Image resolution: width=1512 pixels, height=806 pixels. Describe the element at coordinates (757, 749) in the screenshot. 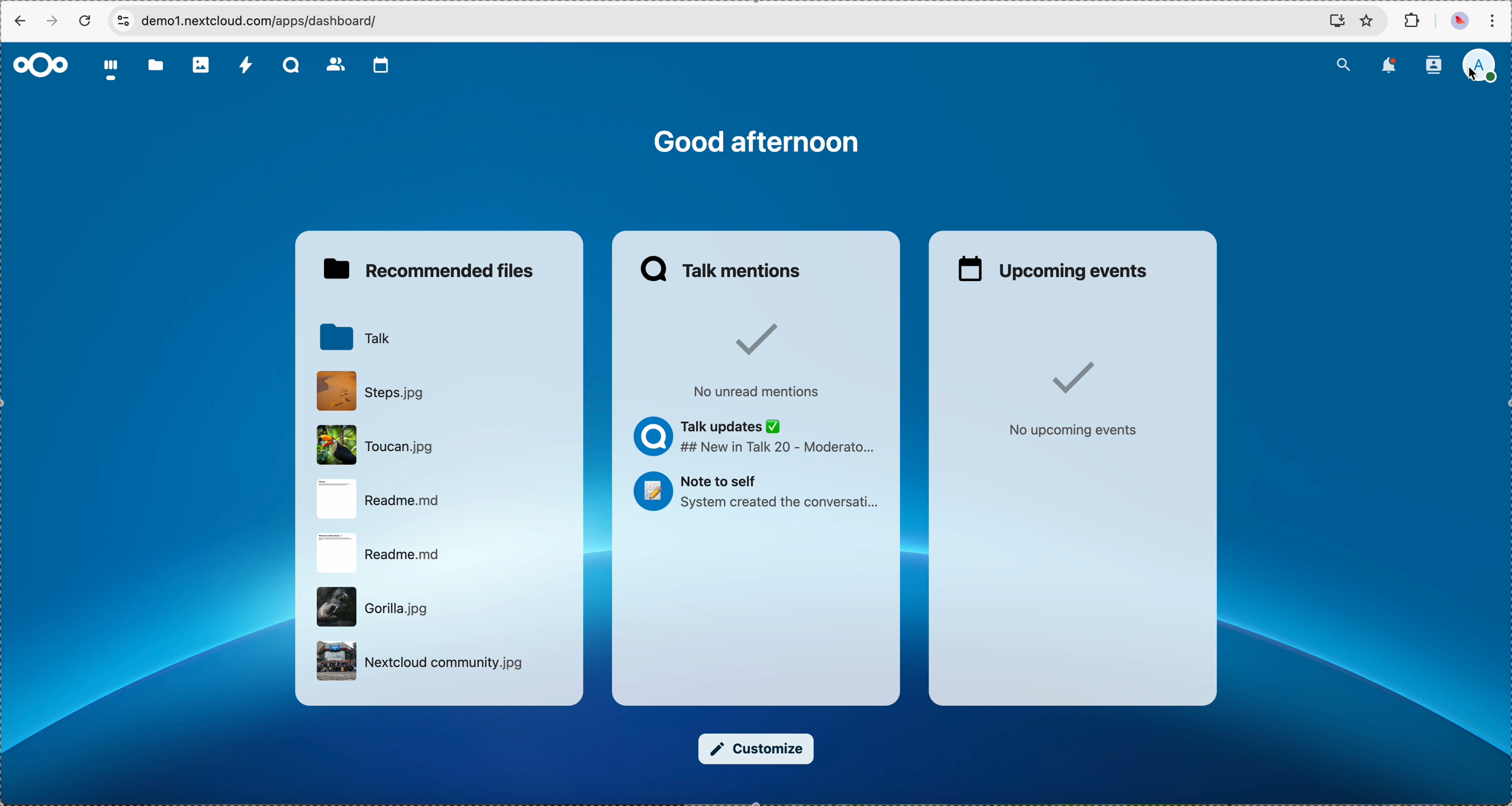

I see `customize button` at that location.